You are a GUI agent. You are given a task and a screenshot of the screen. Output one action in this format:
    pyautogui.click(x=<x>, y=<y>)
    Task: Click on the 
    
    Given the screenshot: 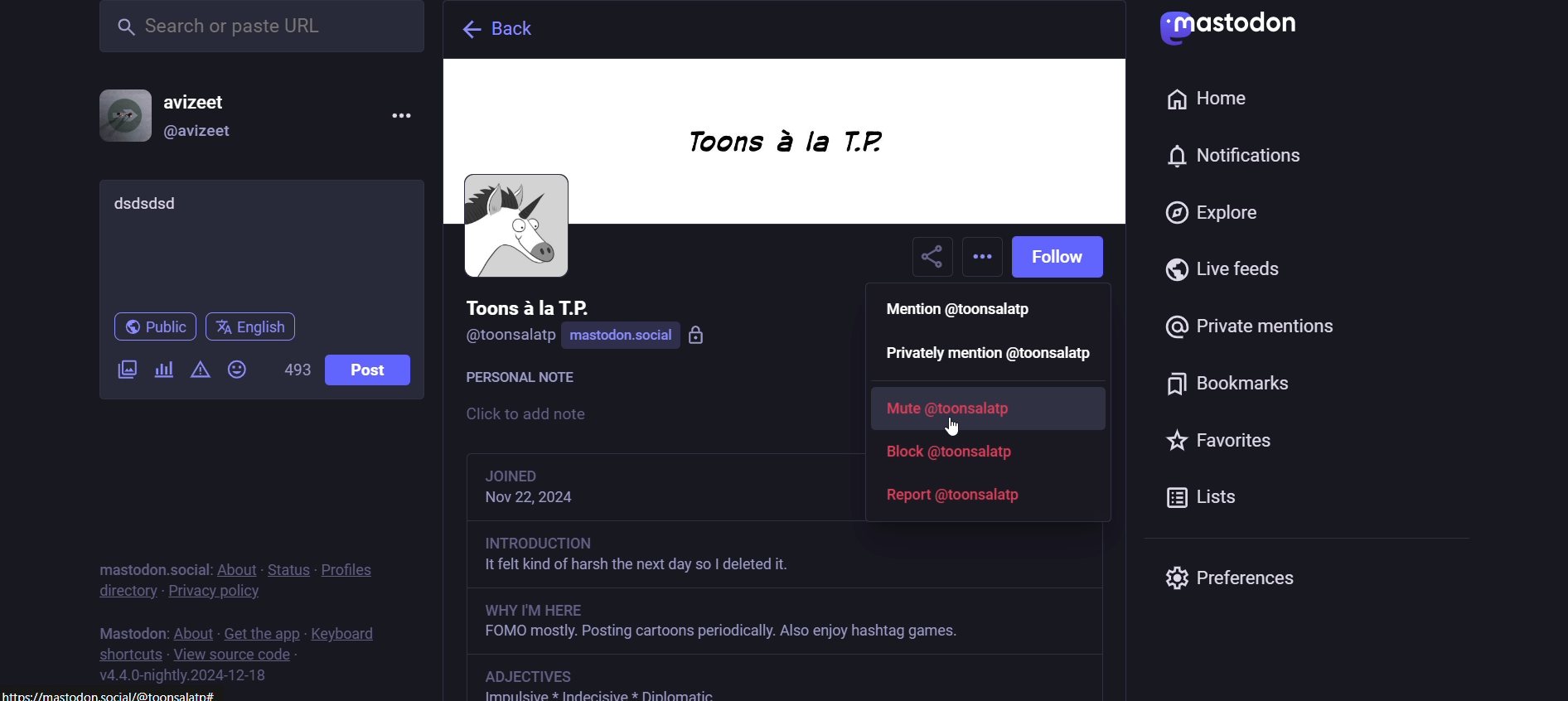 What is the action you would take?
    pyautogui.click(x=786, y=558)
    